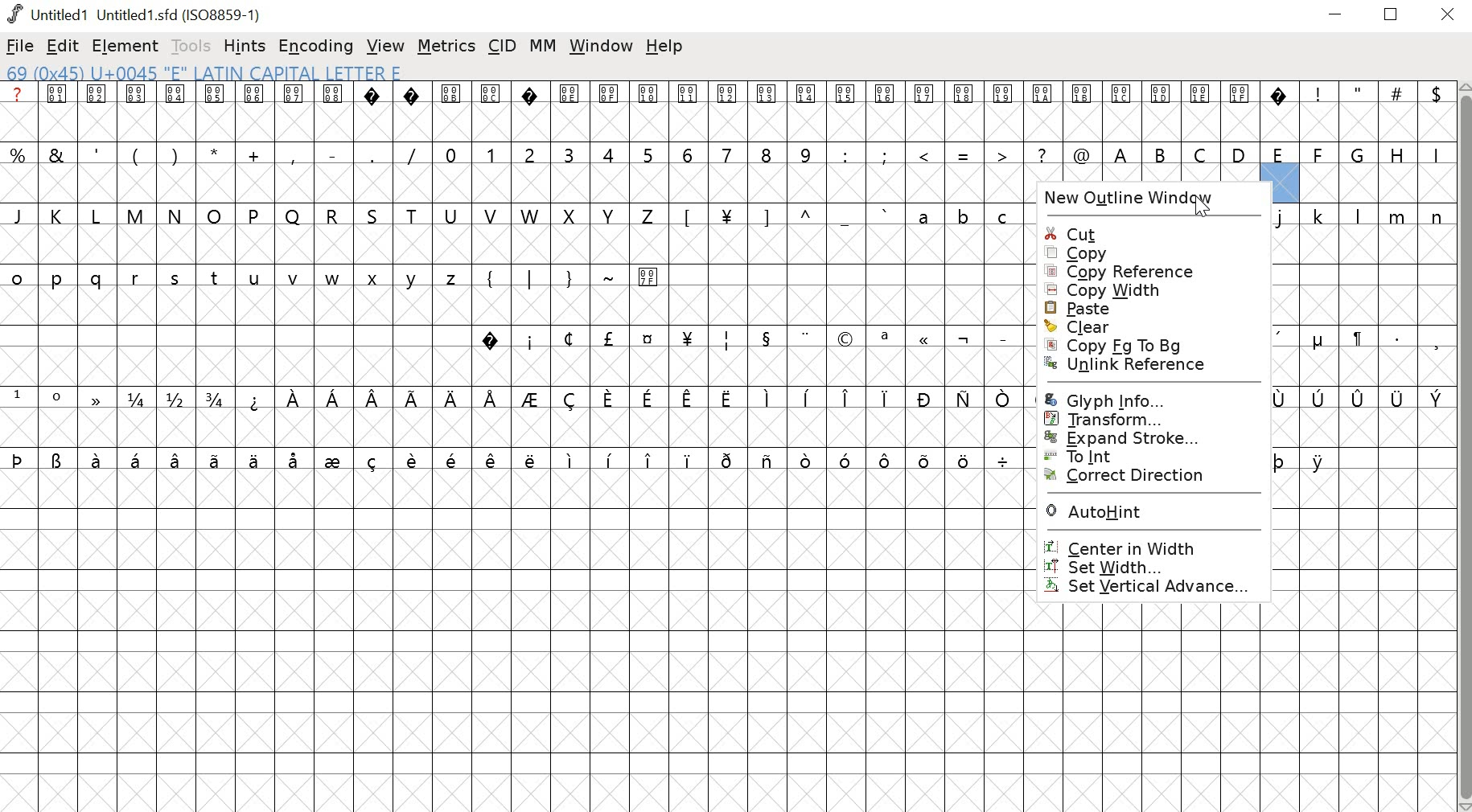  I want to click on tools, so click(191, 46).